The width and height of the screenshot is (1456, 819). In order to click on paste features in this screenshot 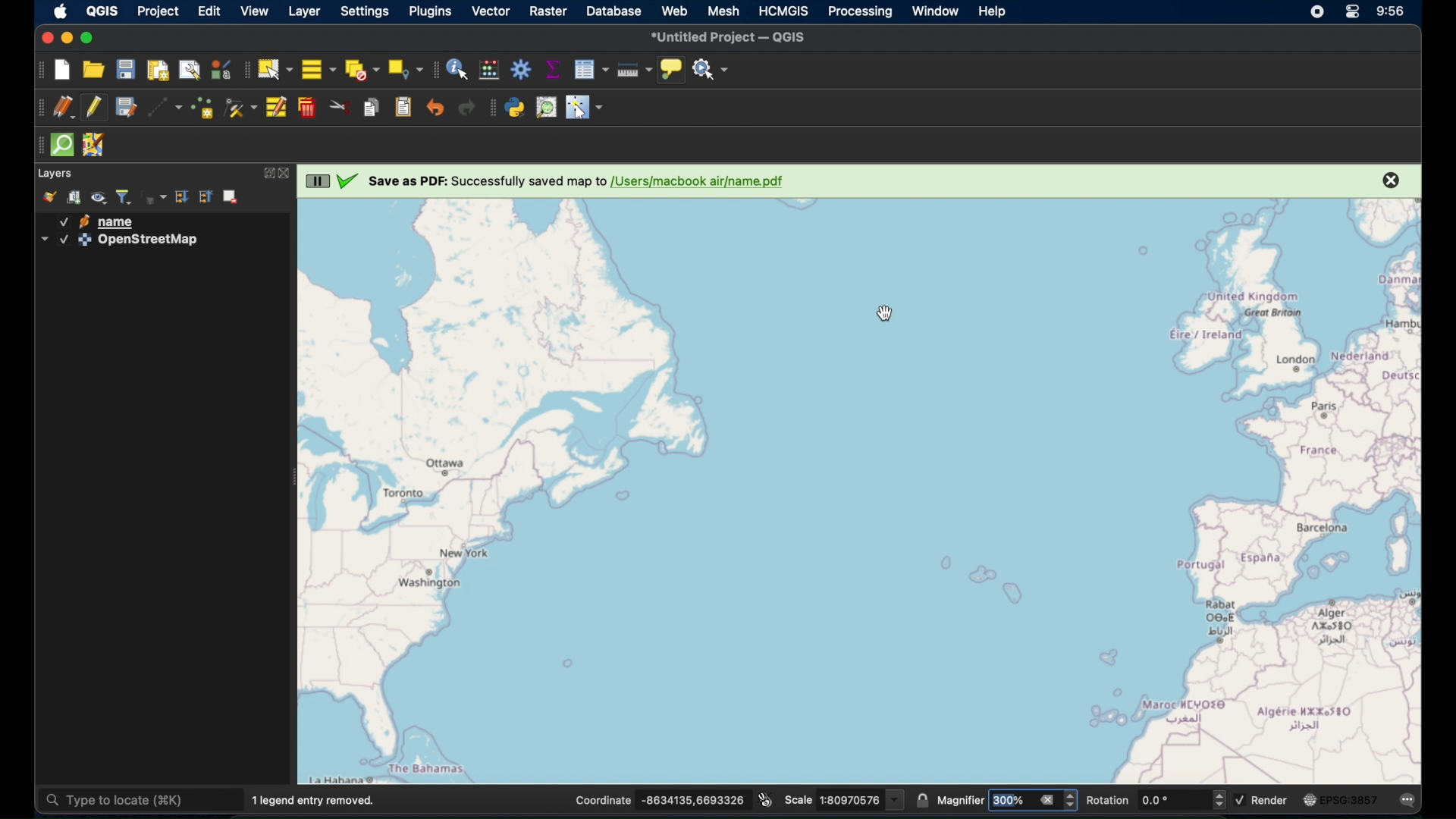, I will do `click(404, 108)`.